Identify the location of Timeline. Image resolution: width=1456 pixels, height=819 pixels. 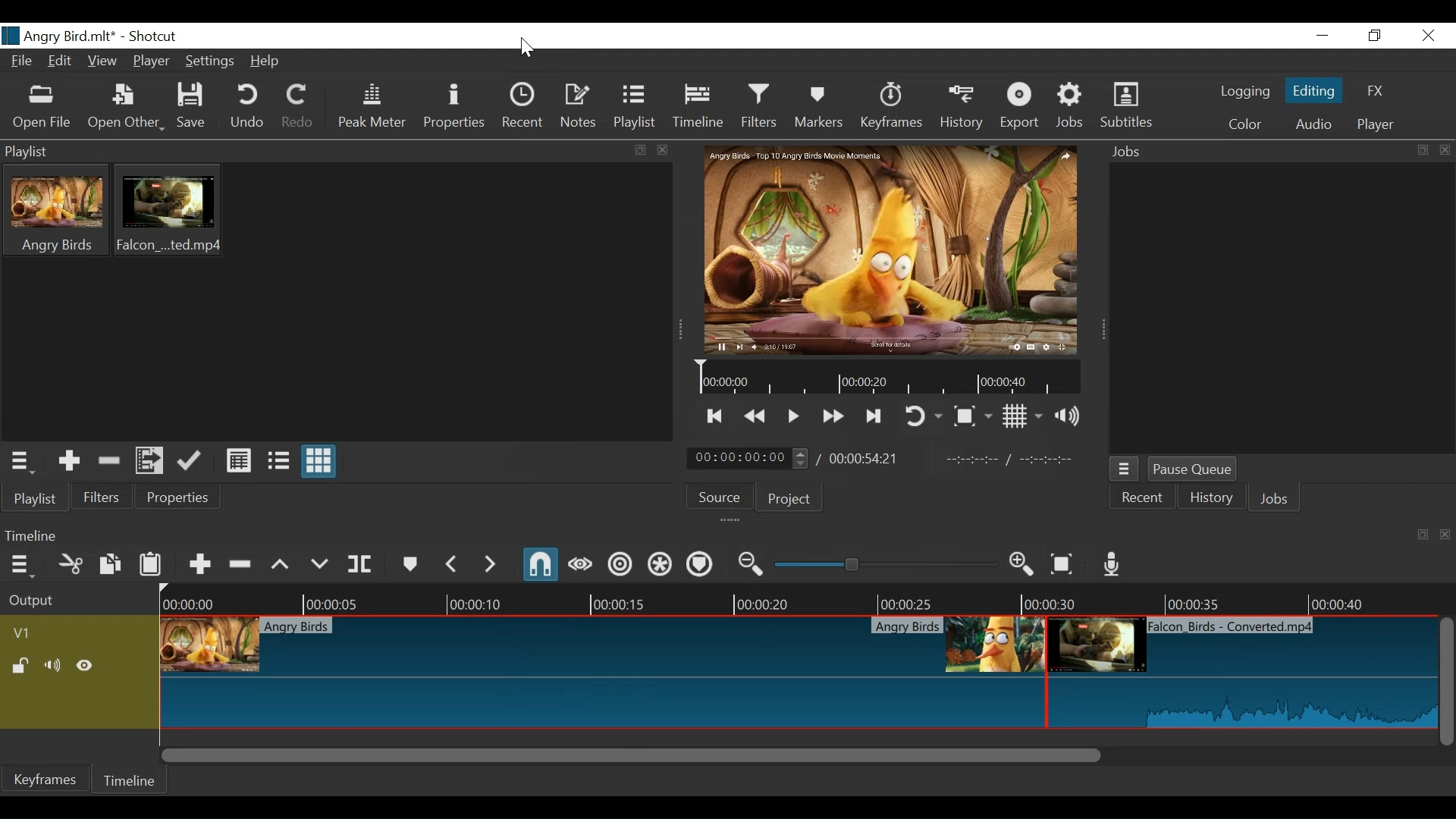
(698, 106).